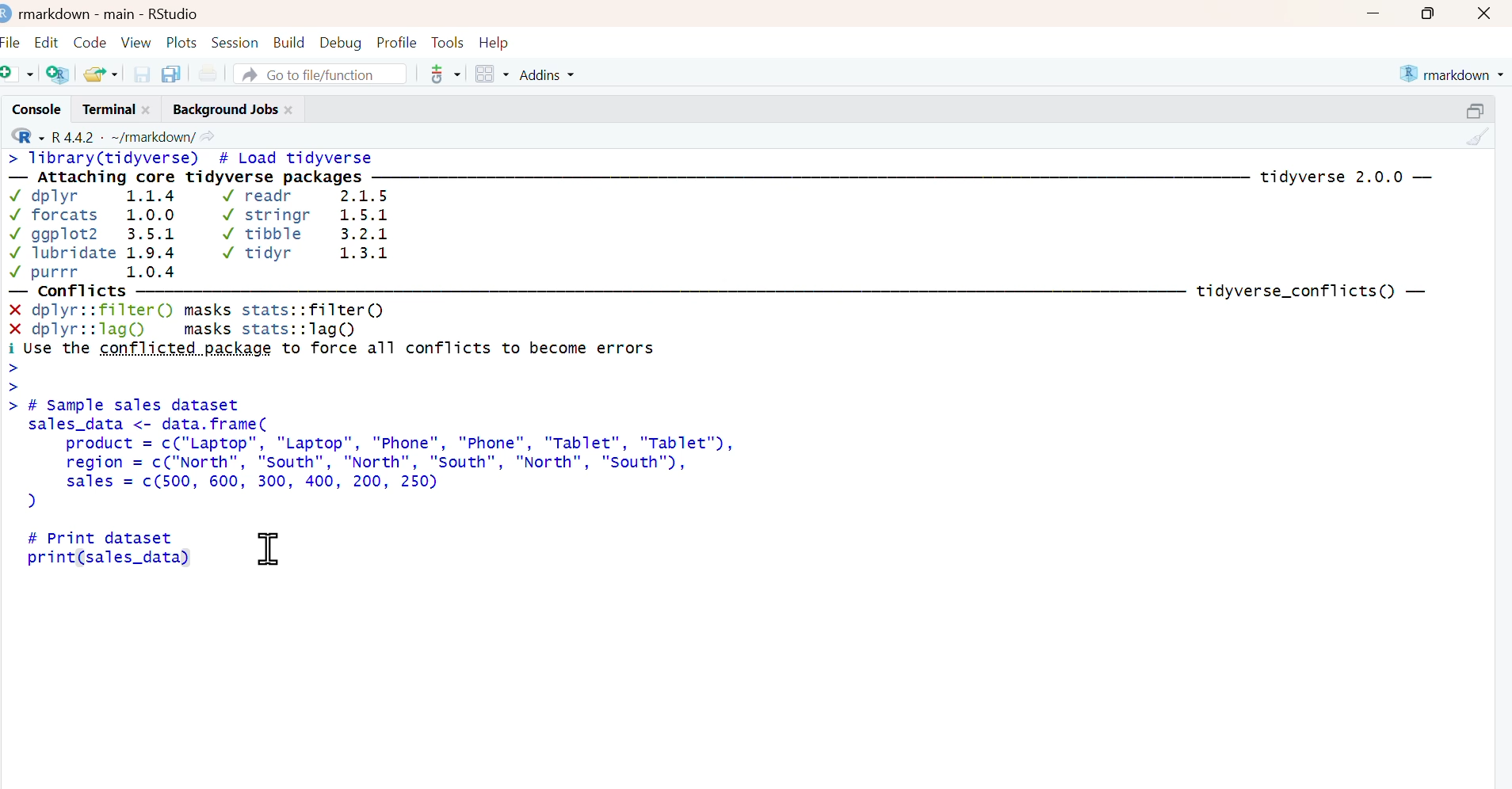 The height and width of the screenshot is (789, 1512). Describe the element at coordinates (13, 40) in the screenshot. I see `File` at that location.